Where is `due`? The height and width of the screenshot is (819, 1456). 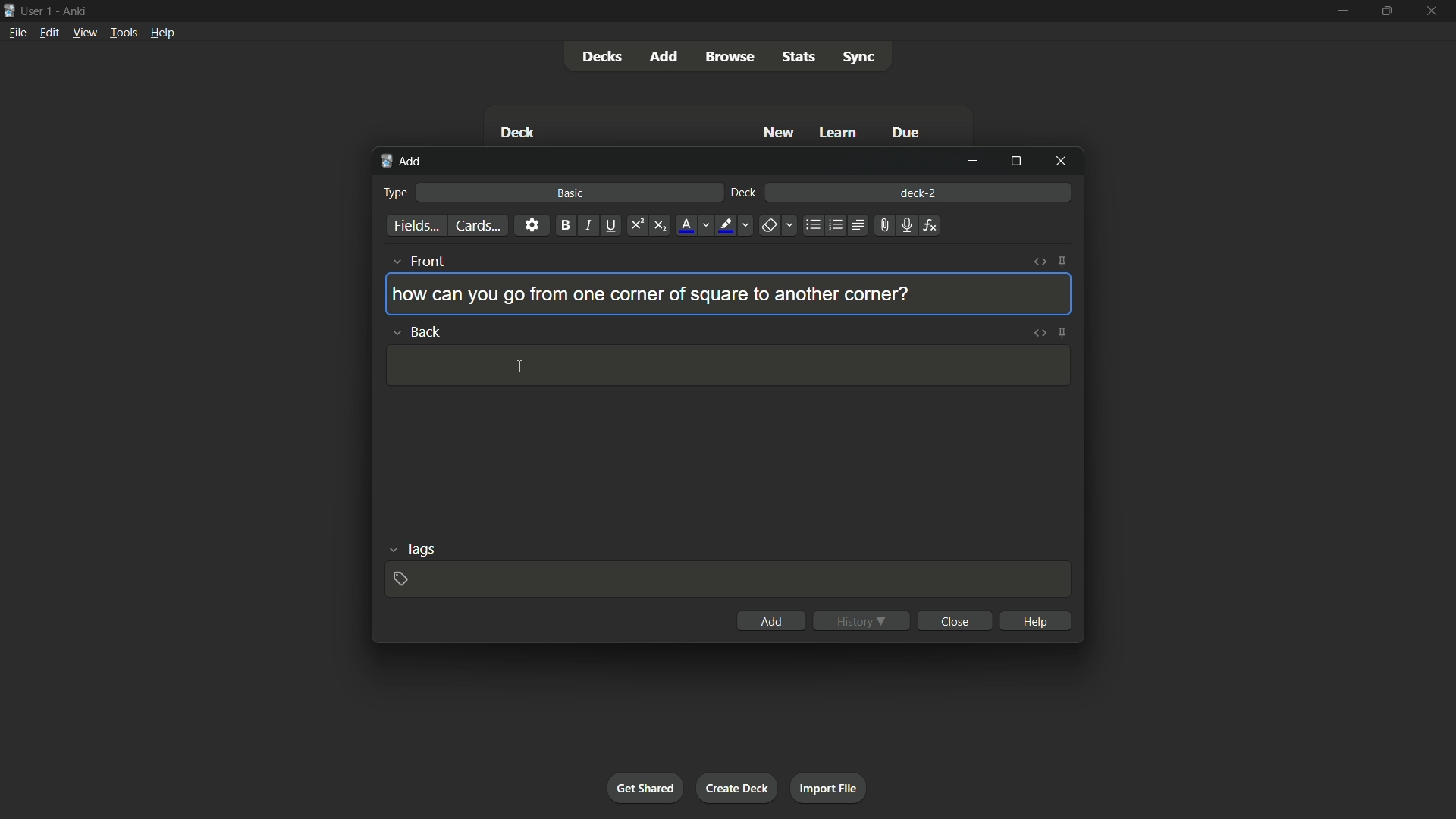
due is located at coordinates (903, 133).